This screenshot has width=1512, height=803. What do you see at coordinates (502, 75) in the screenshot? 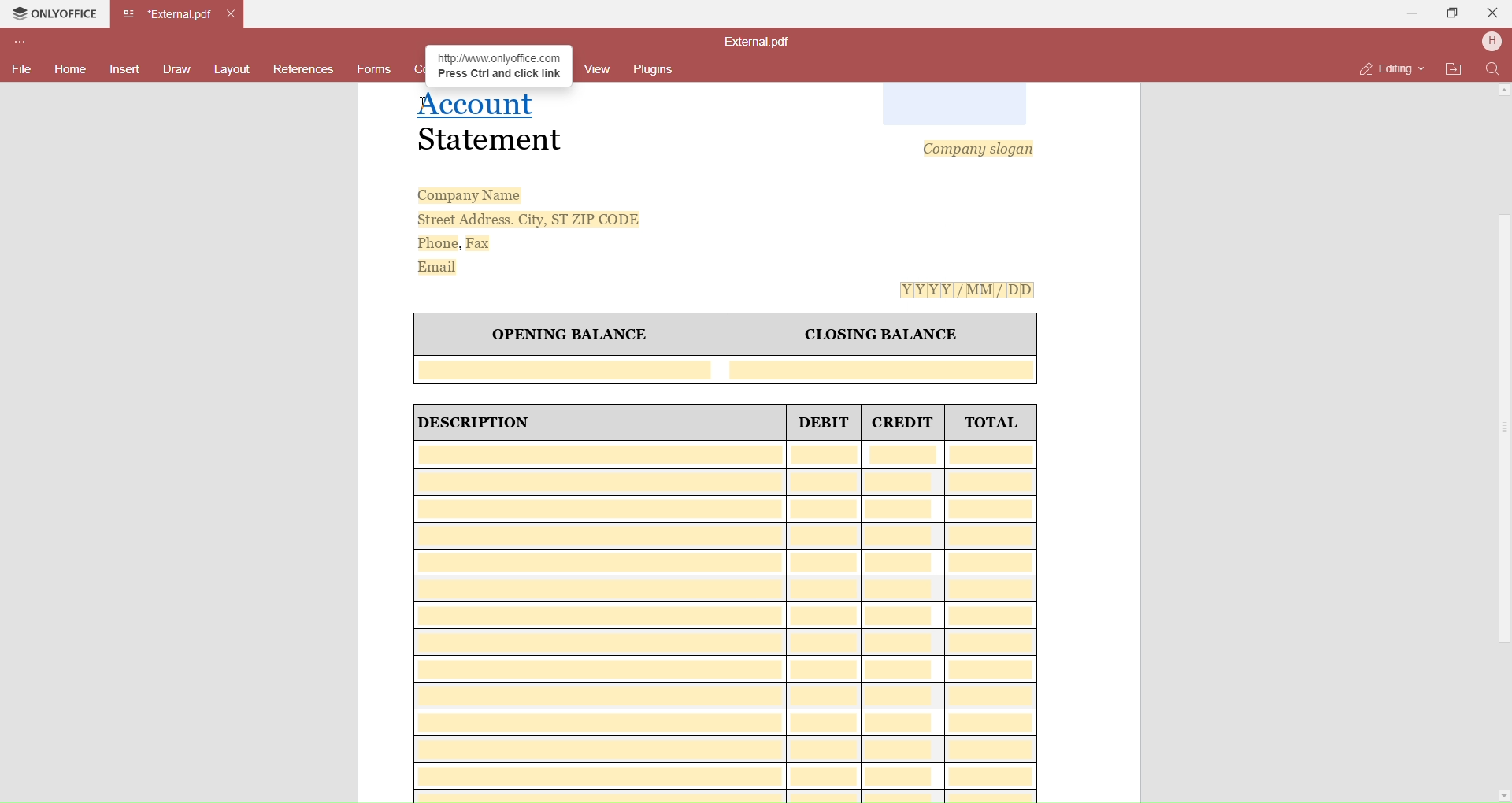
I see `Press Ctrl and click link` at bounding box center [502, 75].